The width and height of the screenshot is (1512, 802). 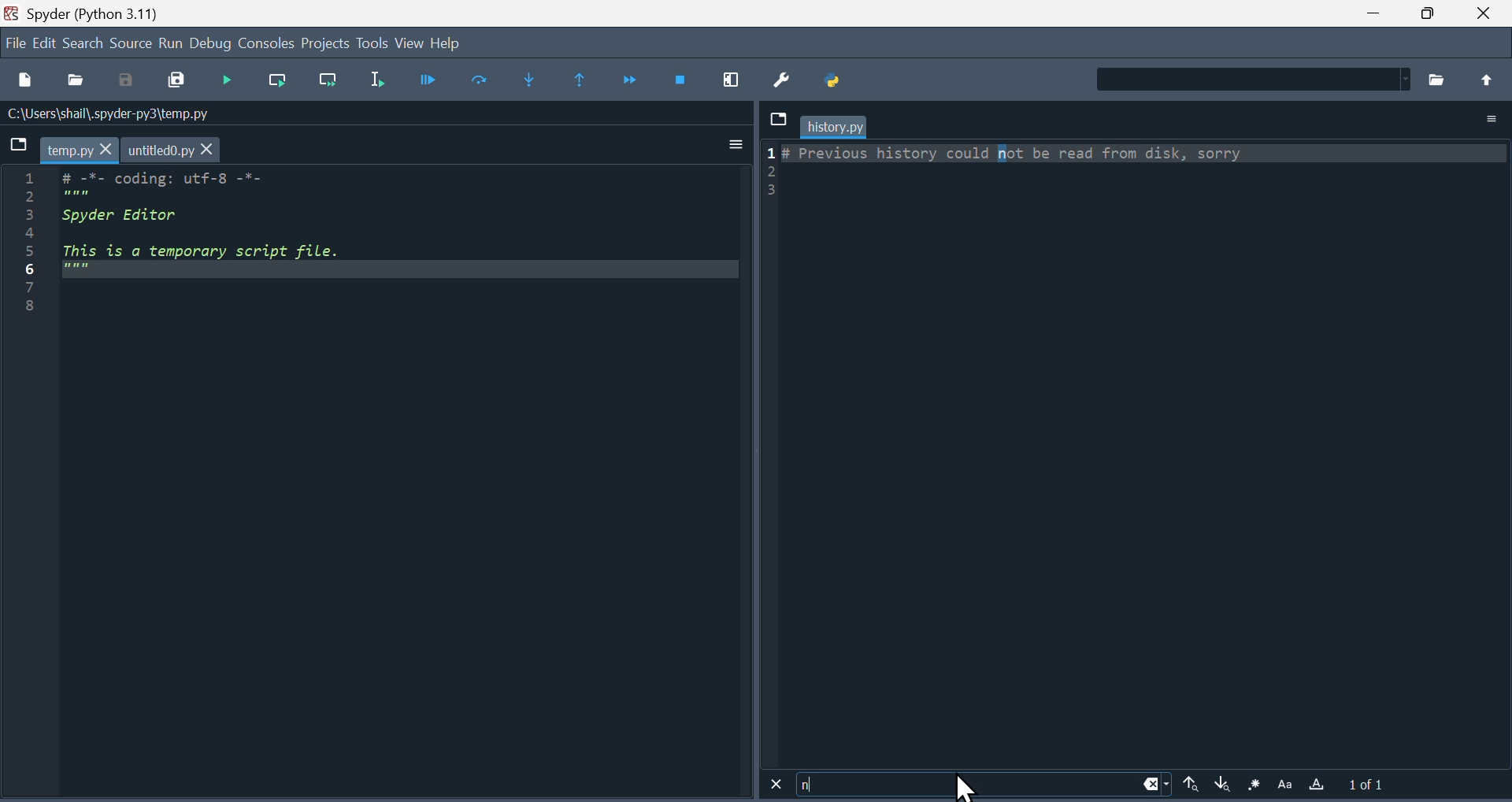 What do you see at coordinates (776, 117) in the screenshot?
I see `Dropdown` at bounding box center [776, 117].